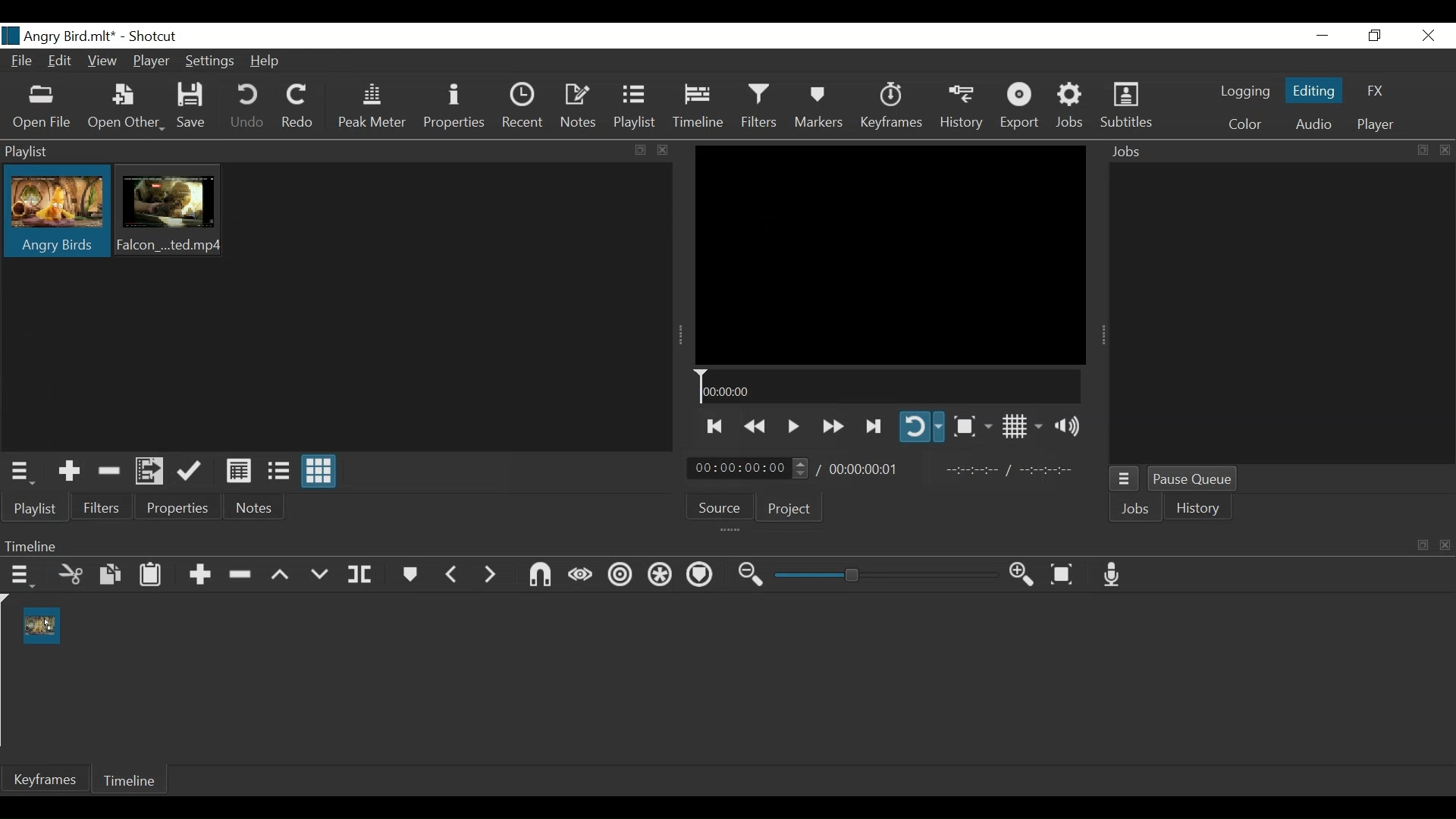  What do you see at coordinates (61, 62) in the screenshot?
I see `Edit` at bounding box center [61, 62].